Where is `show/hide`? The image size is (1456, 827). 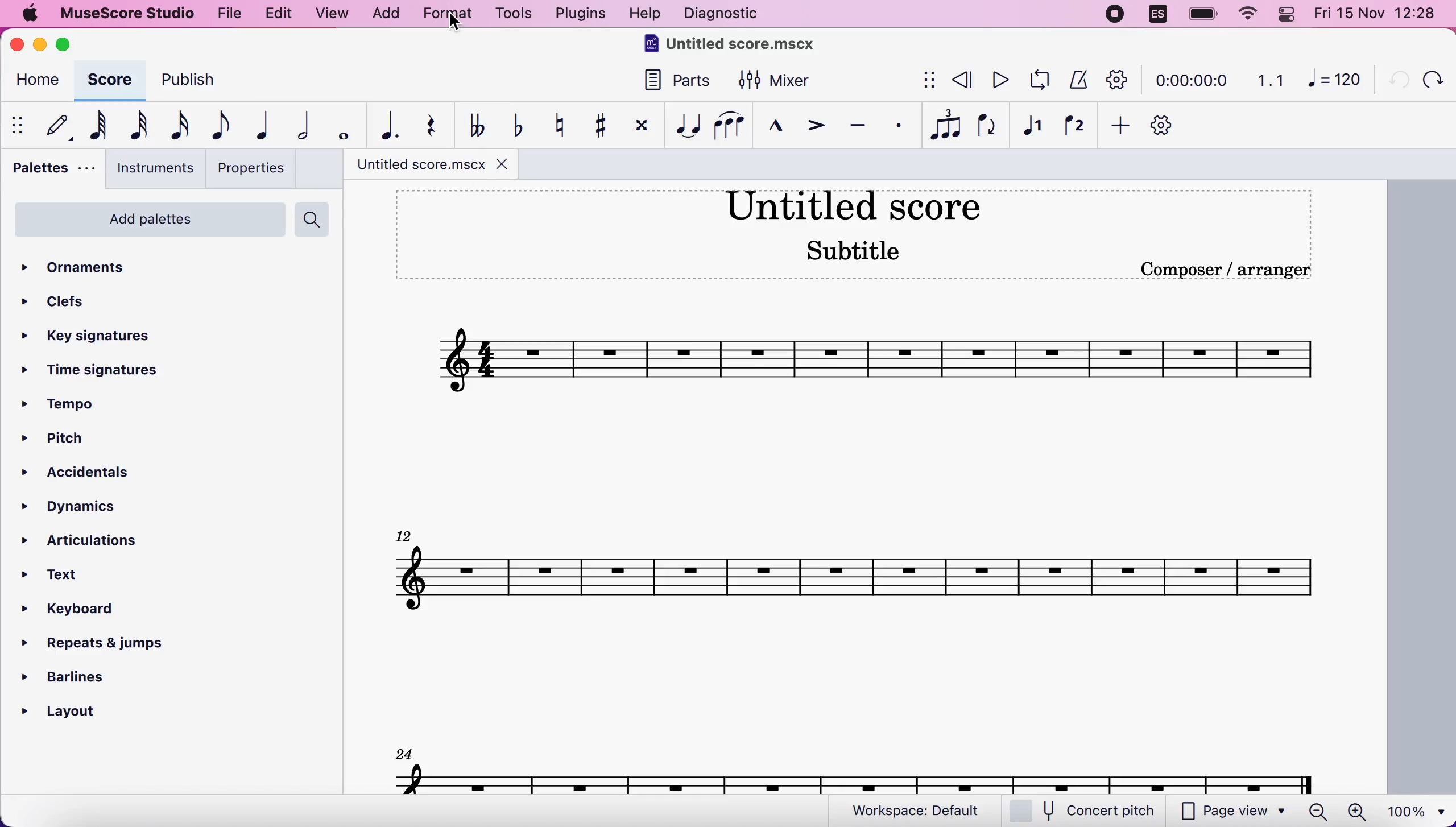 show/hide is located at coordinates (926, 81).